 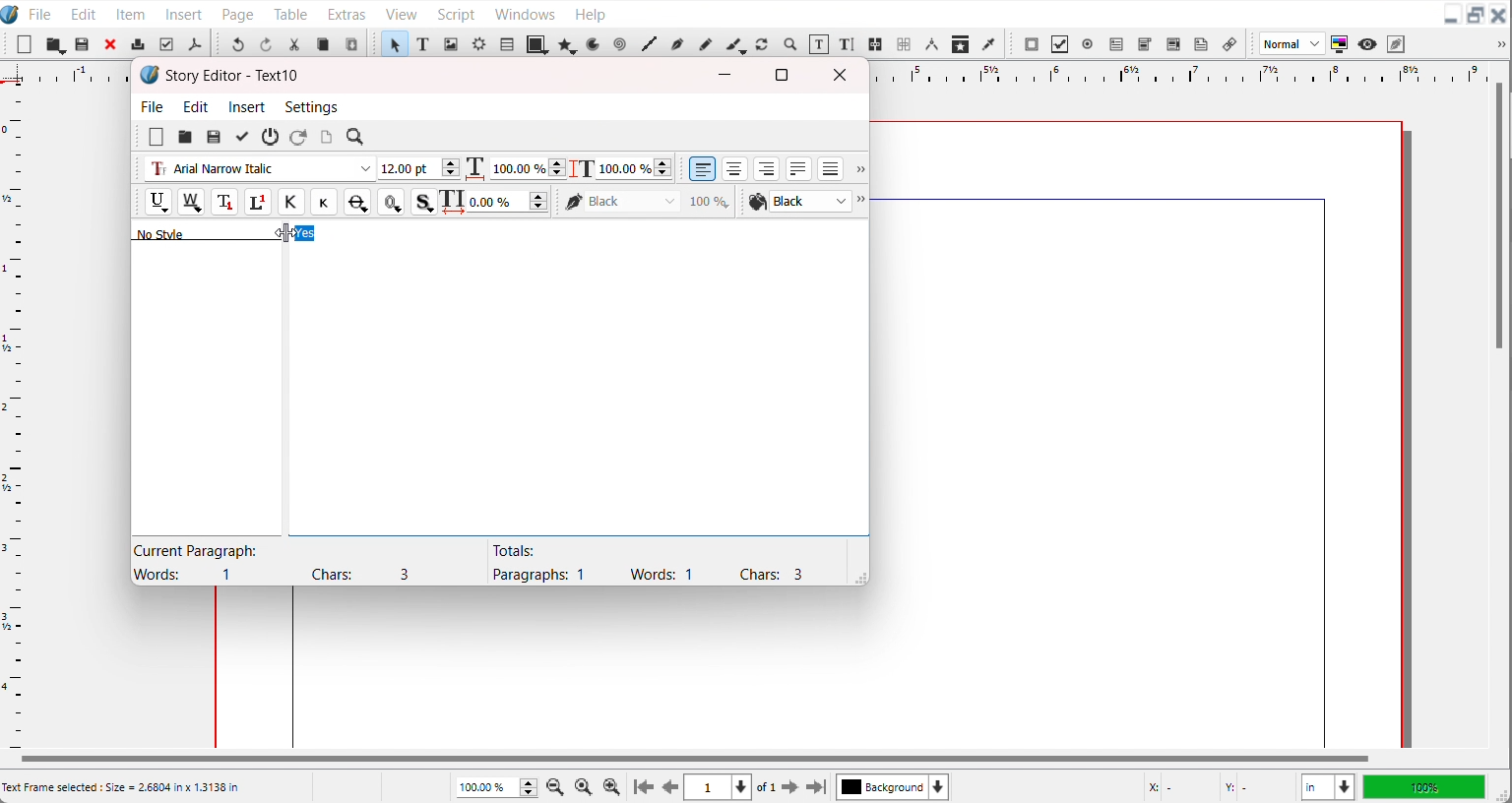 I want to click on Windows, so click(x=525, y=12).